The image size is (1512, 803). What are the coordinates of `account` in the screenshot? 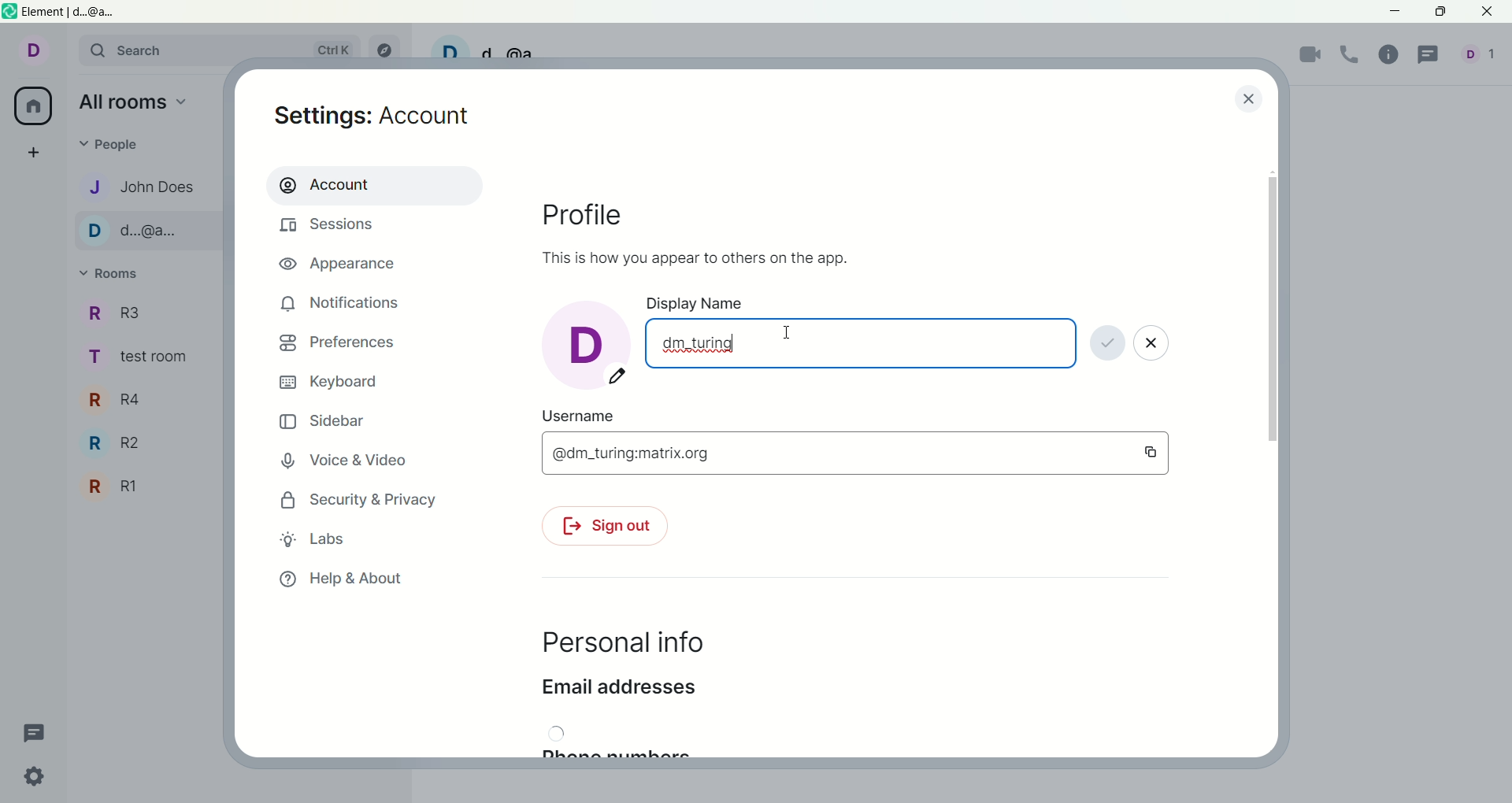 It's located at (372, 184).